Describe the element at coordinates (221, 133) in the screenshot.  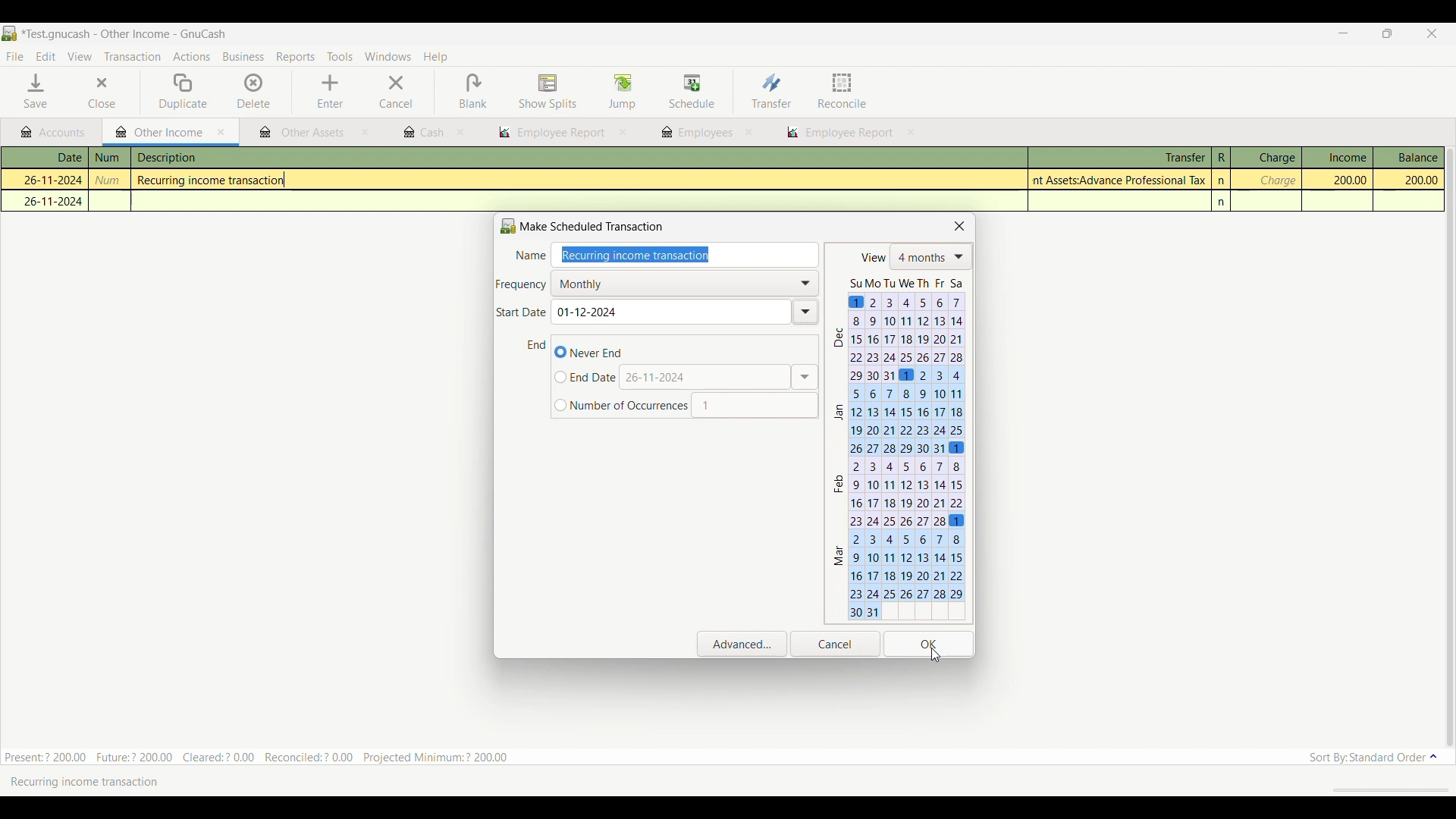
I see `Close current tab` at that location.